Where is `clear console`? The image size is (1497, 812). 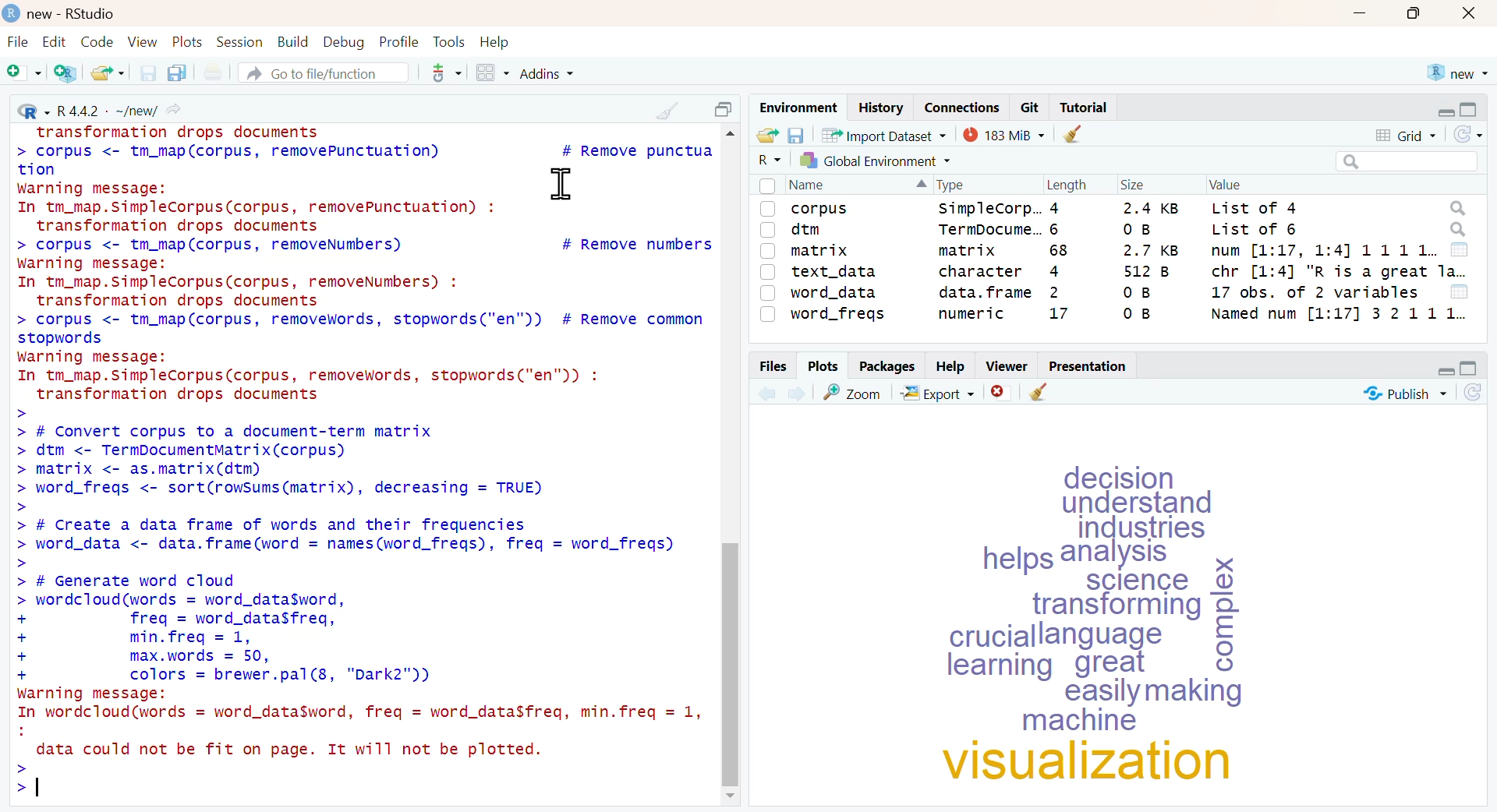 clear console is located at coordinates (669, 110).